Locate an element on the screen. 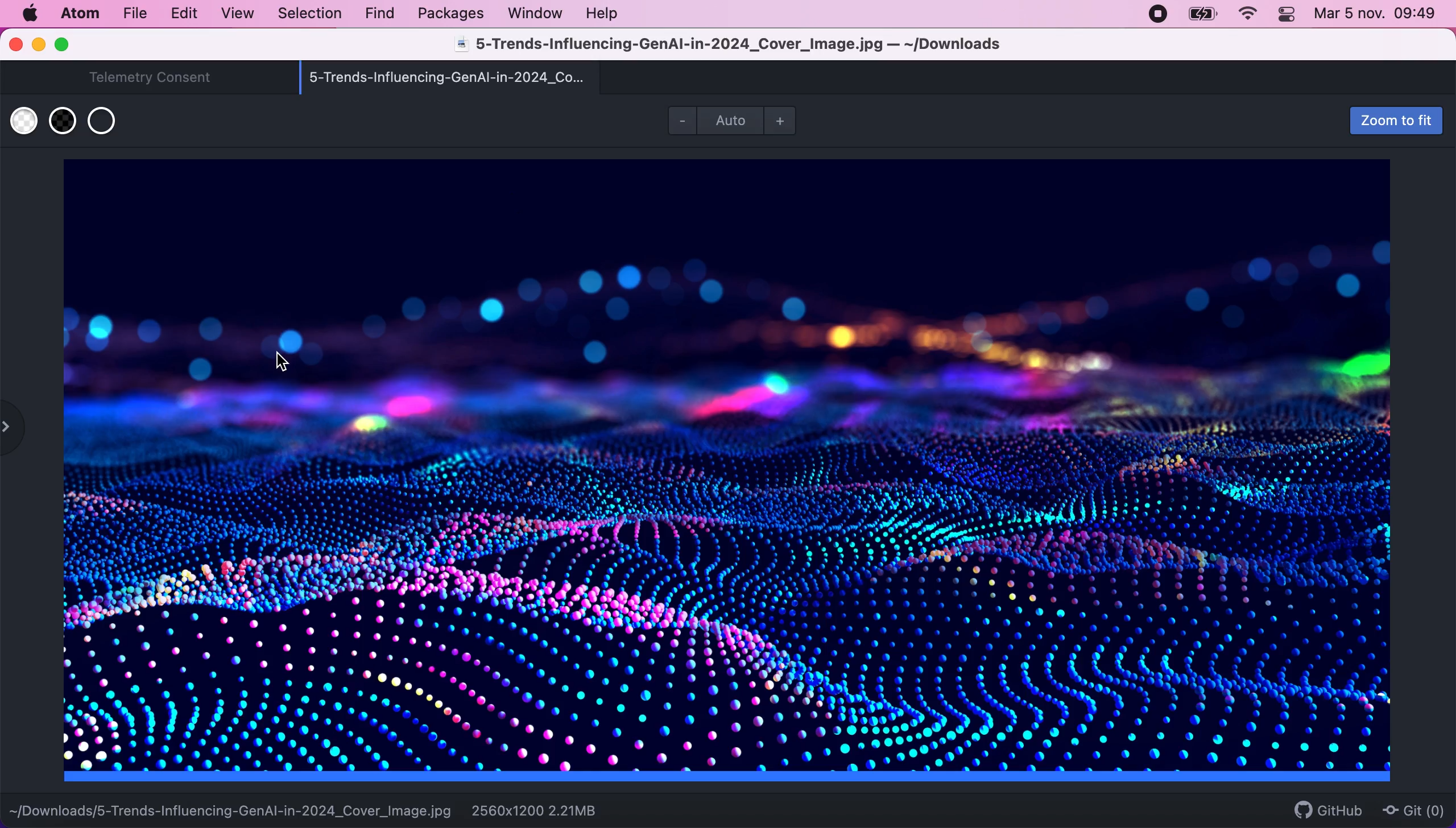 Image resolution: width=1456 pixels, height=828 pixels. zoom to fit is located at coordinates (1365, 121).